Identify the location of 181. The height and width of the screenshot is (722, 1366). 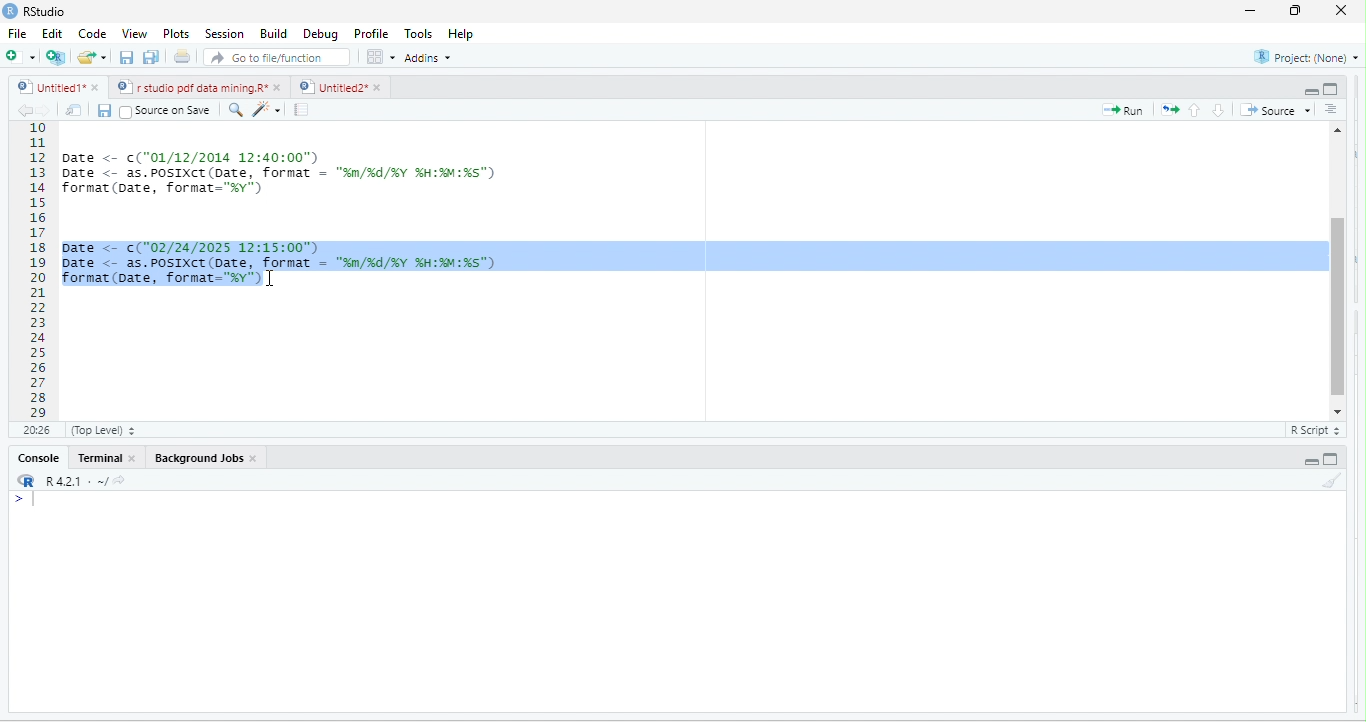
(35, 431).